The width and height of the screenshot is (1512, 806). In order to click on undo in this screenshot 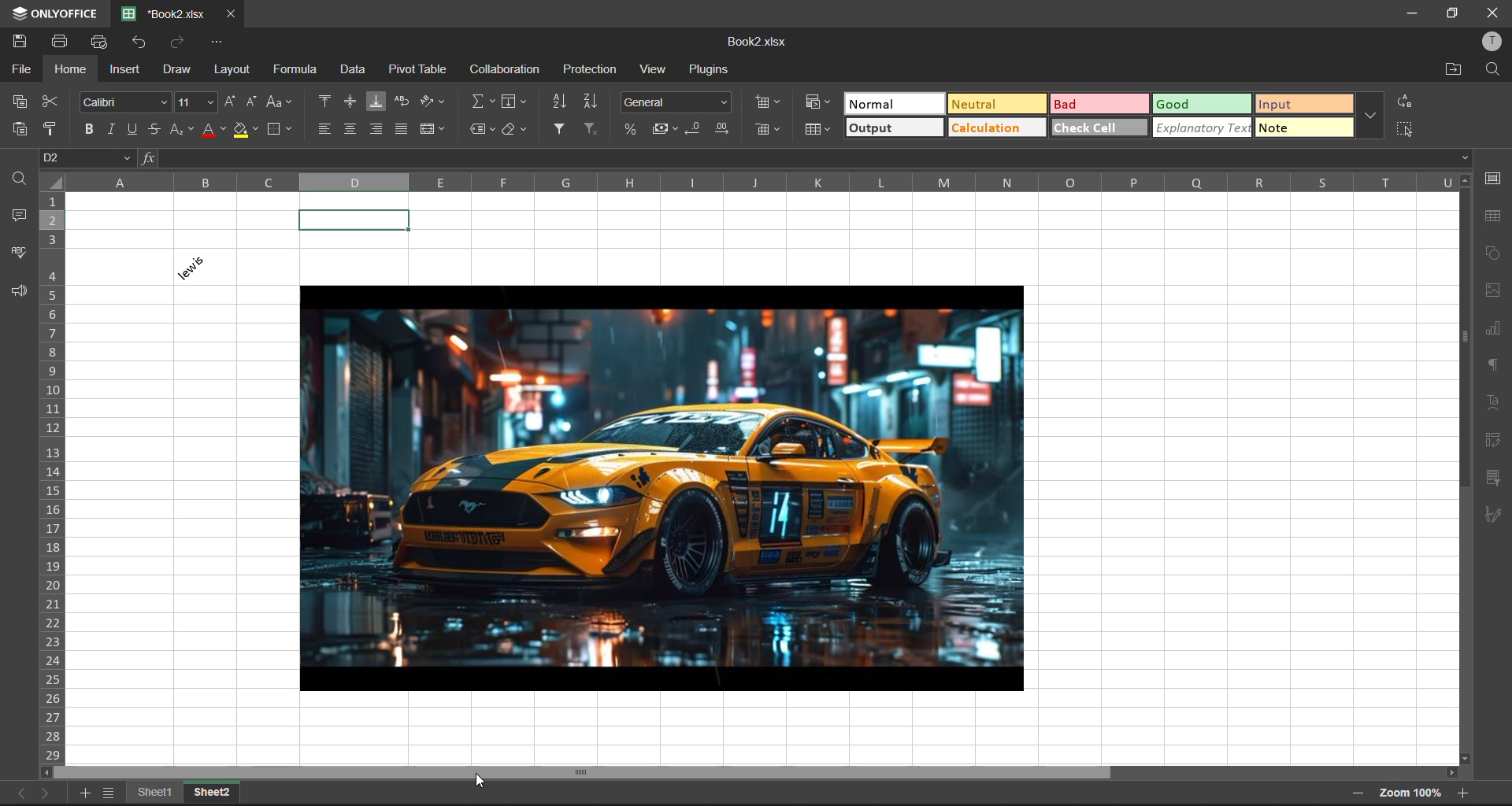, I will do `click(142, 43)`.